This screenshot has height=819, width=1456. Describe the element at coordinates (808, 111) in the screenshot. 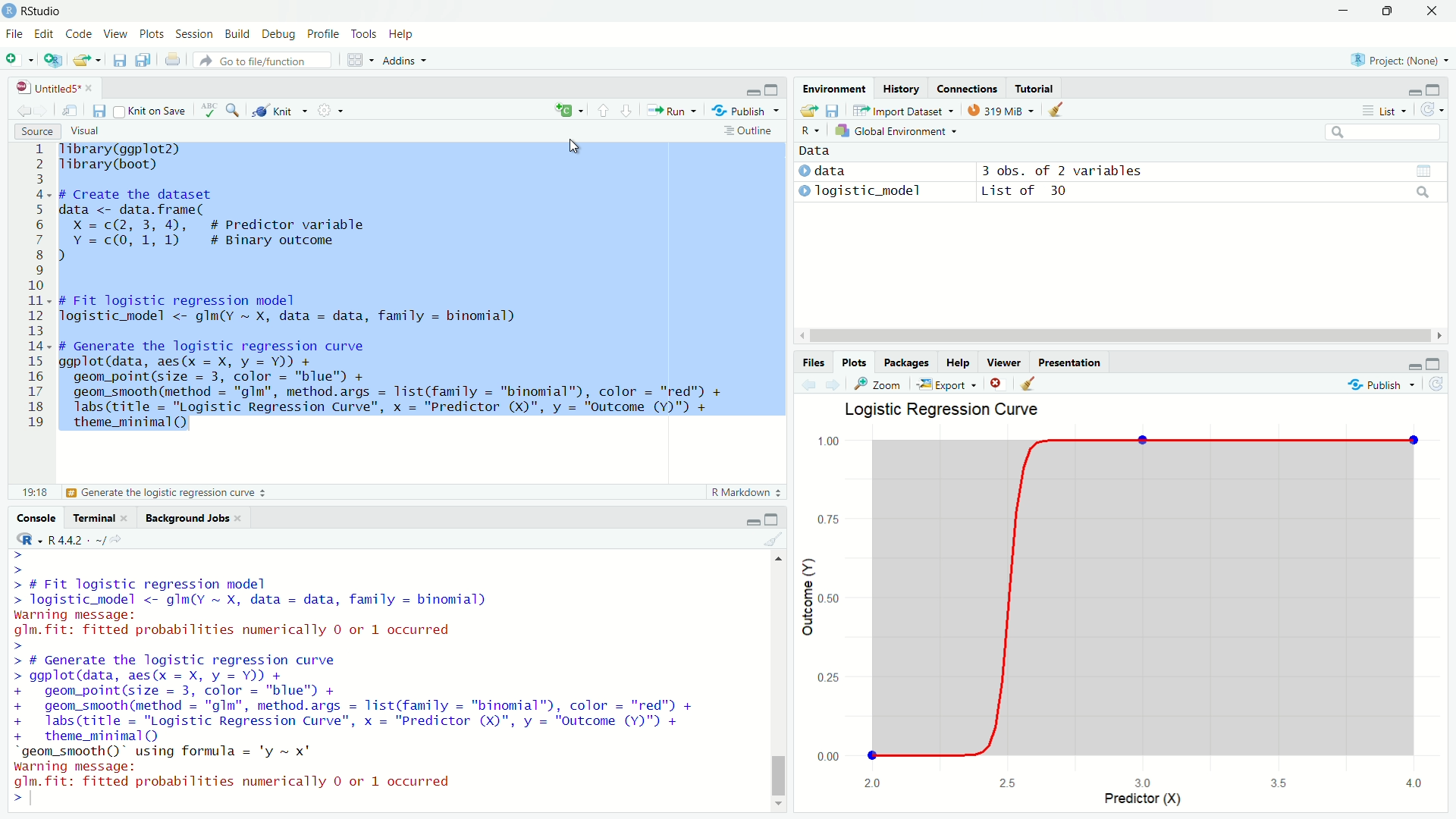

I see `Load workspace` at that location.